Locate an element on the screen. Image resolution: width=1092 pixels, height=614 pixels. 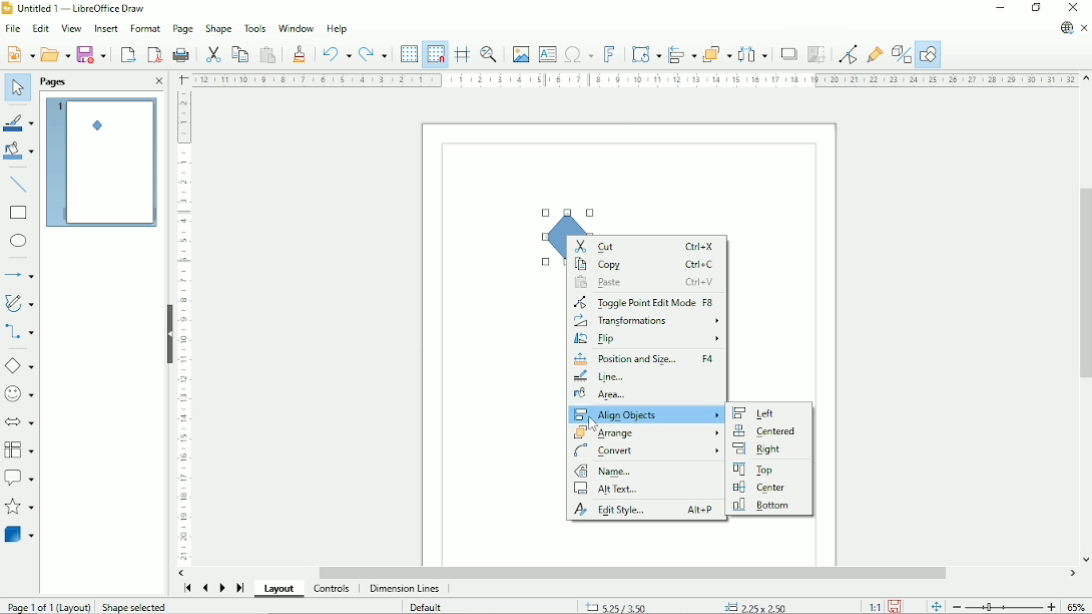
Fit page to current window is located at coordinates (936, 606).